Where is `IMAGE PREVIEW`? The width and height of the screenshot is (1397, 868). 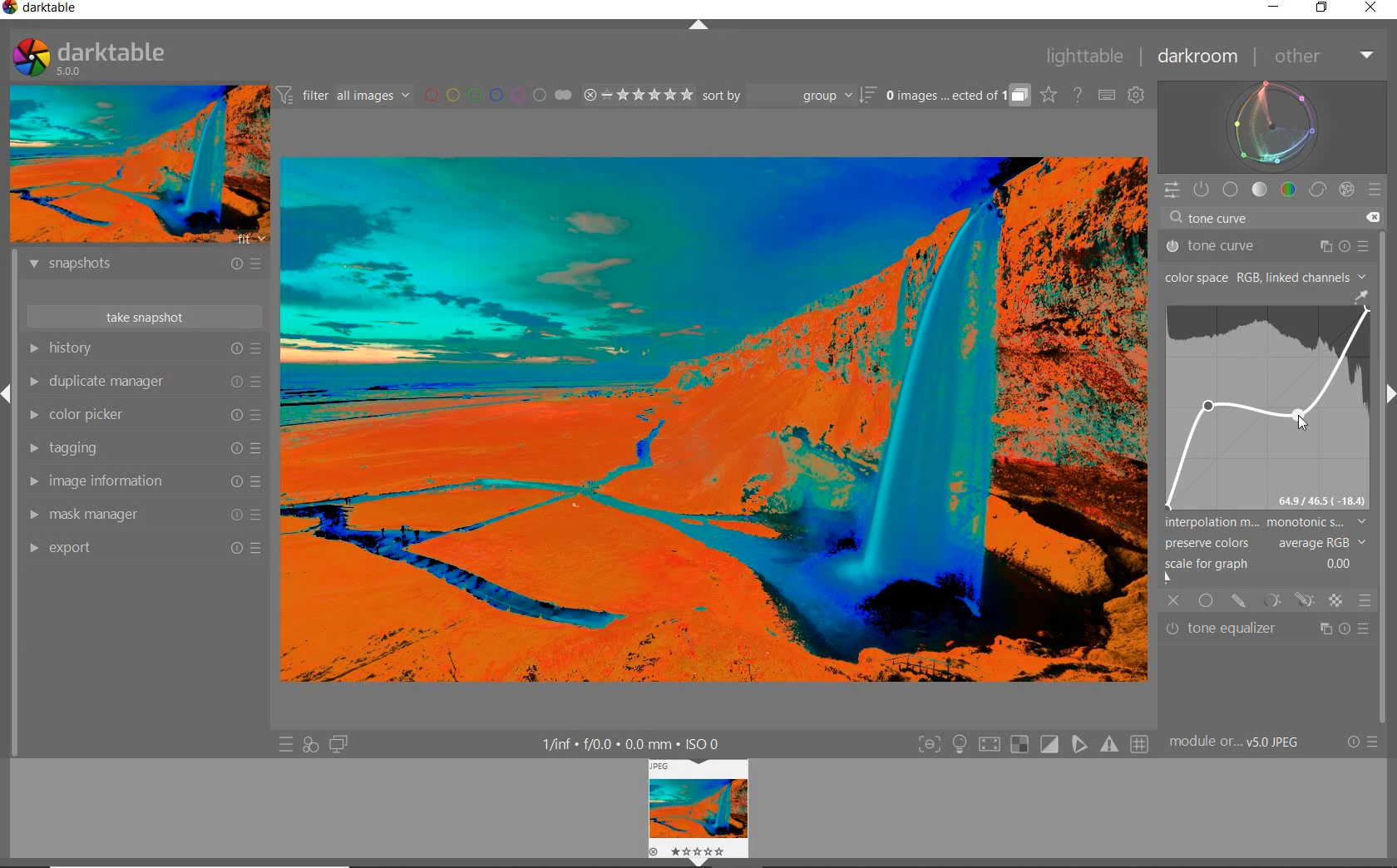
IMAGE PREVIEW is located at coordinates (137, 165).